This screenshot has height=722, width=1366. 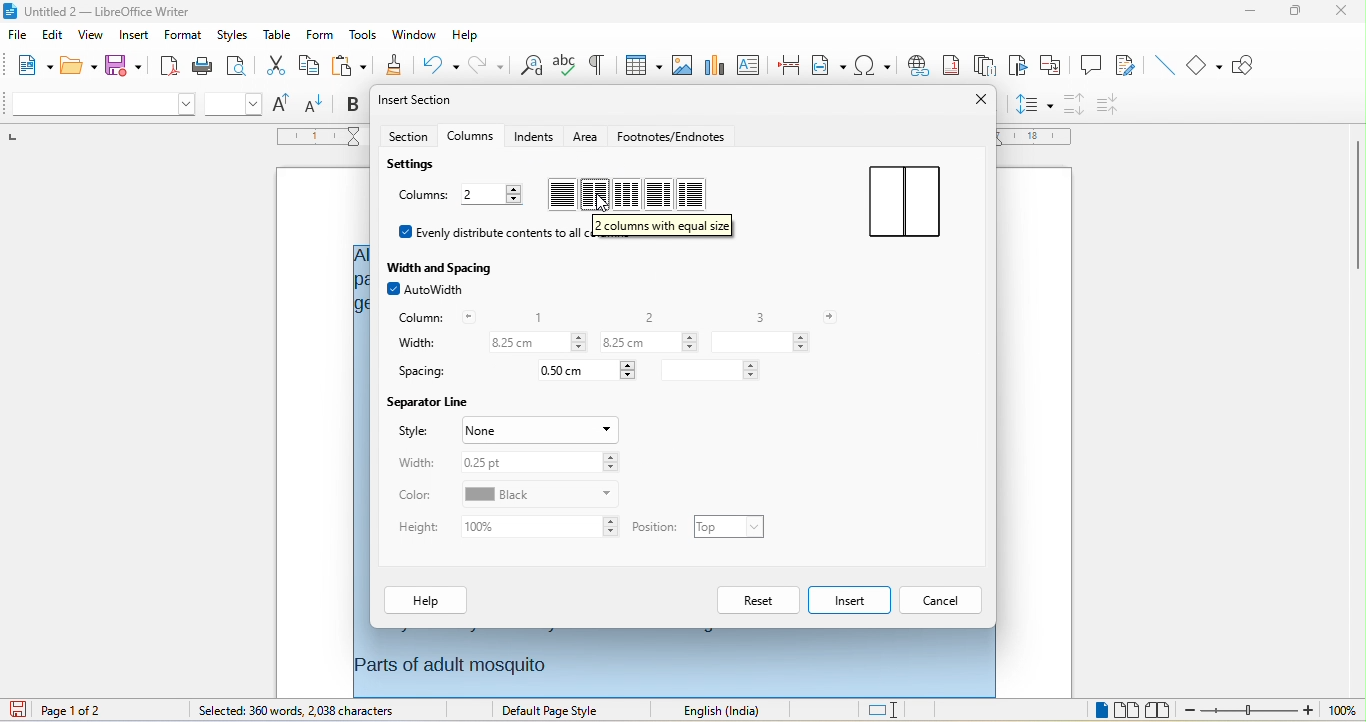 I want to click on indents, so click(x=536, y=137).